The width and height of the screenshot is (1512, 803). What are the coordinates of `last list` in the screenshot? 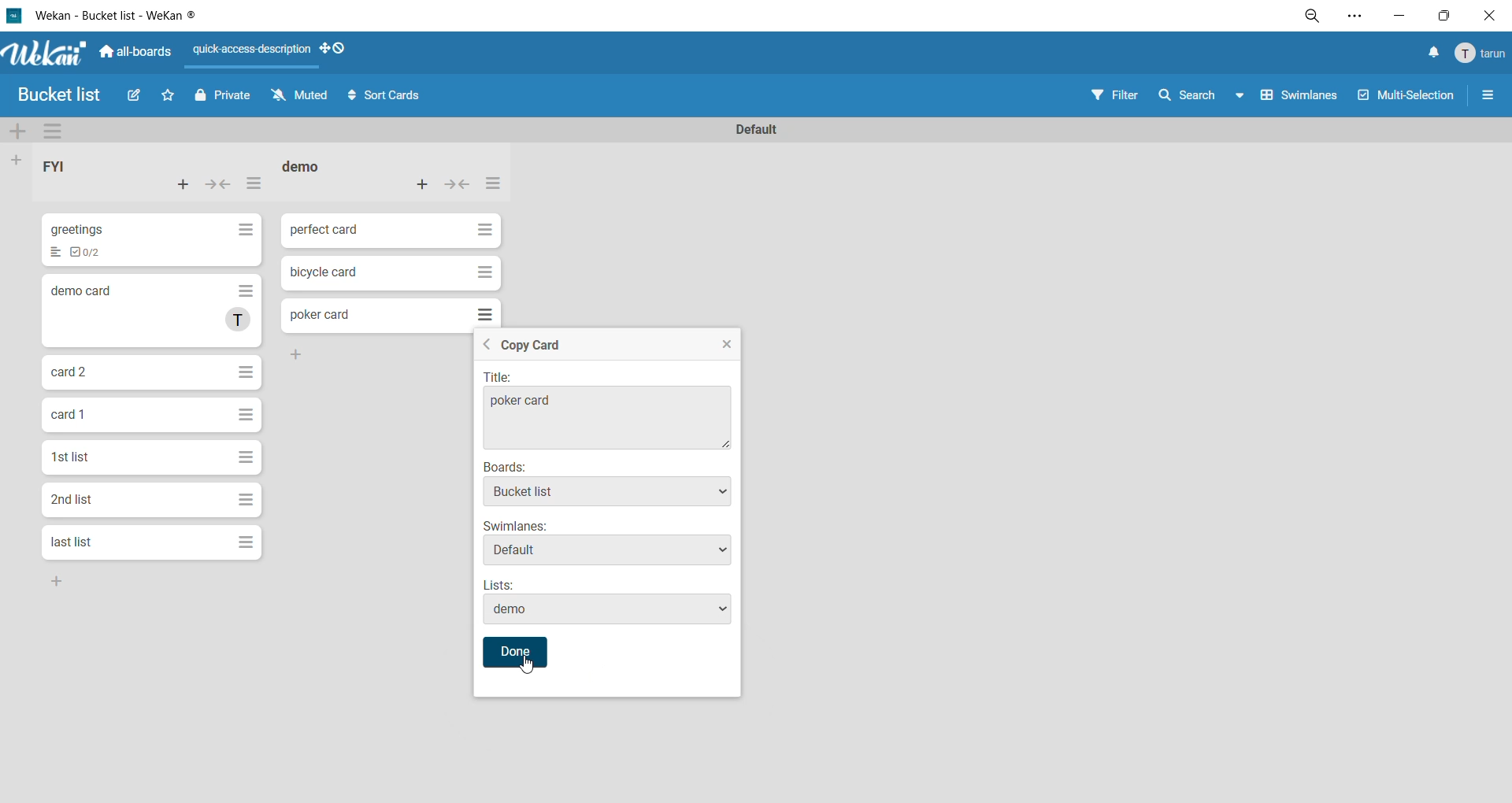 It's located at (69, 542).